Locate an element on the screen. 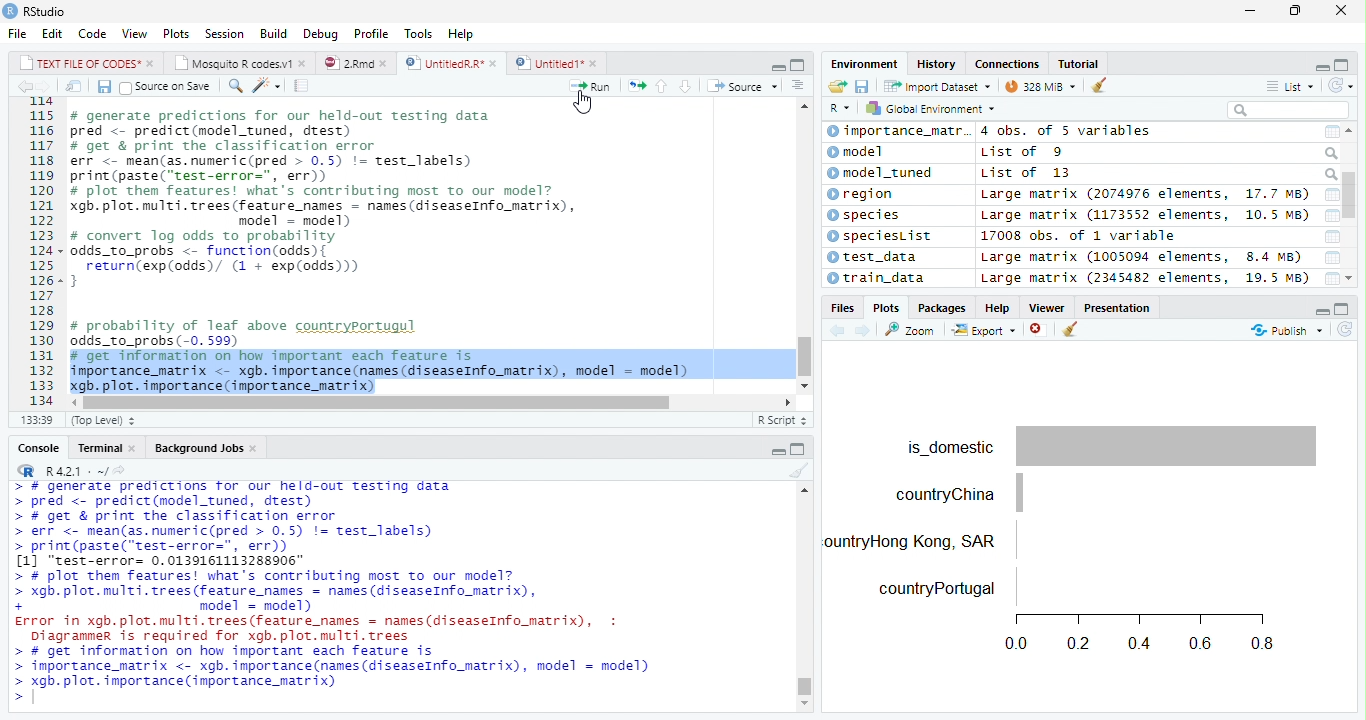 This screenshot has height=720, width=1366. Help is located at coordinates (995, 307).